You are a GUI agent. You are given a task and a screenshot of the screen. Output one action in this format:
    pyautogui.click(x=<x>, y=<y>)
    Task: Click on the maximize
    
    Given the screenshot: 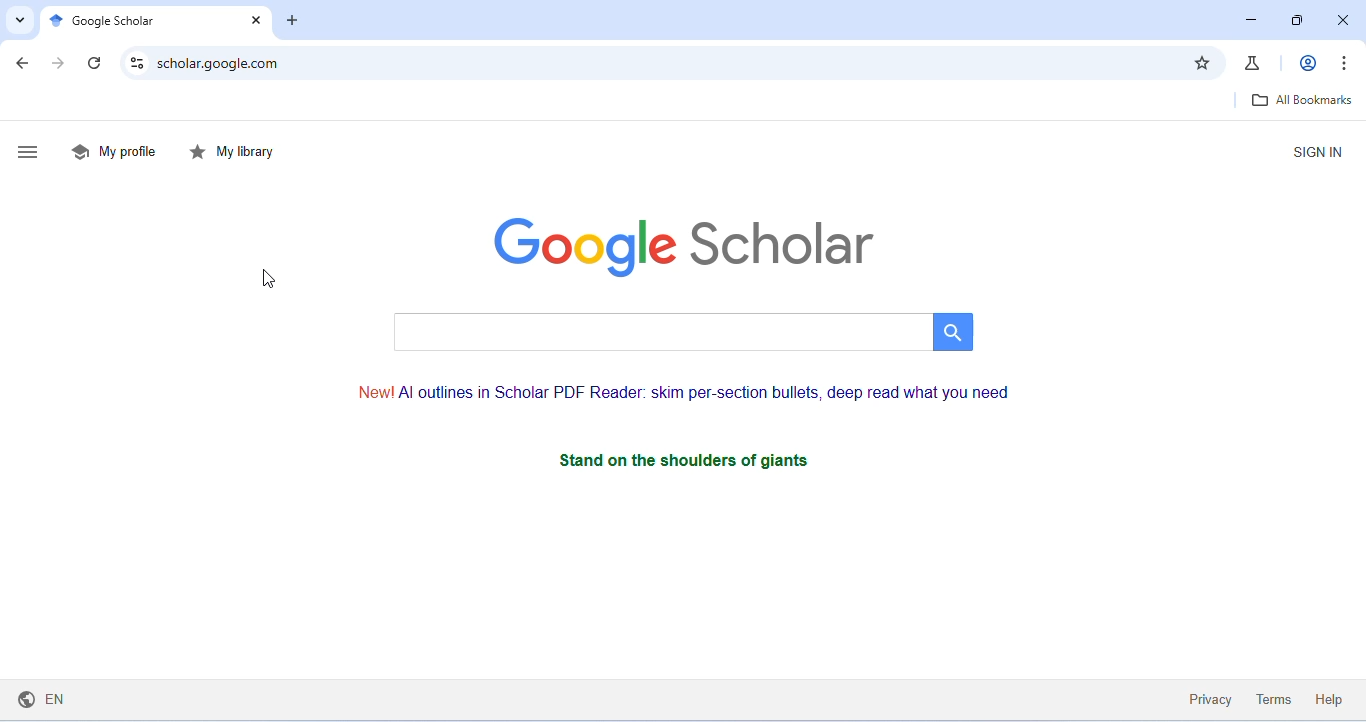 What is the action you would take?
    pyautogui.click(x=1298, y=20)
    